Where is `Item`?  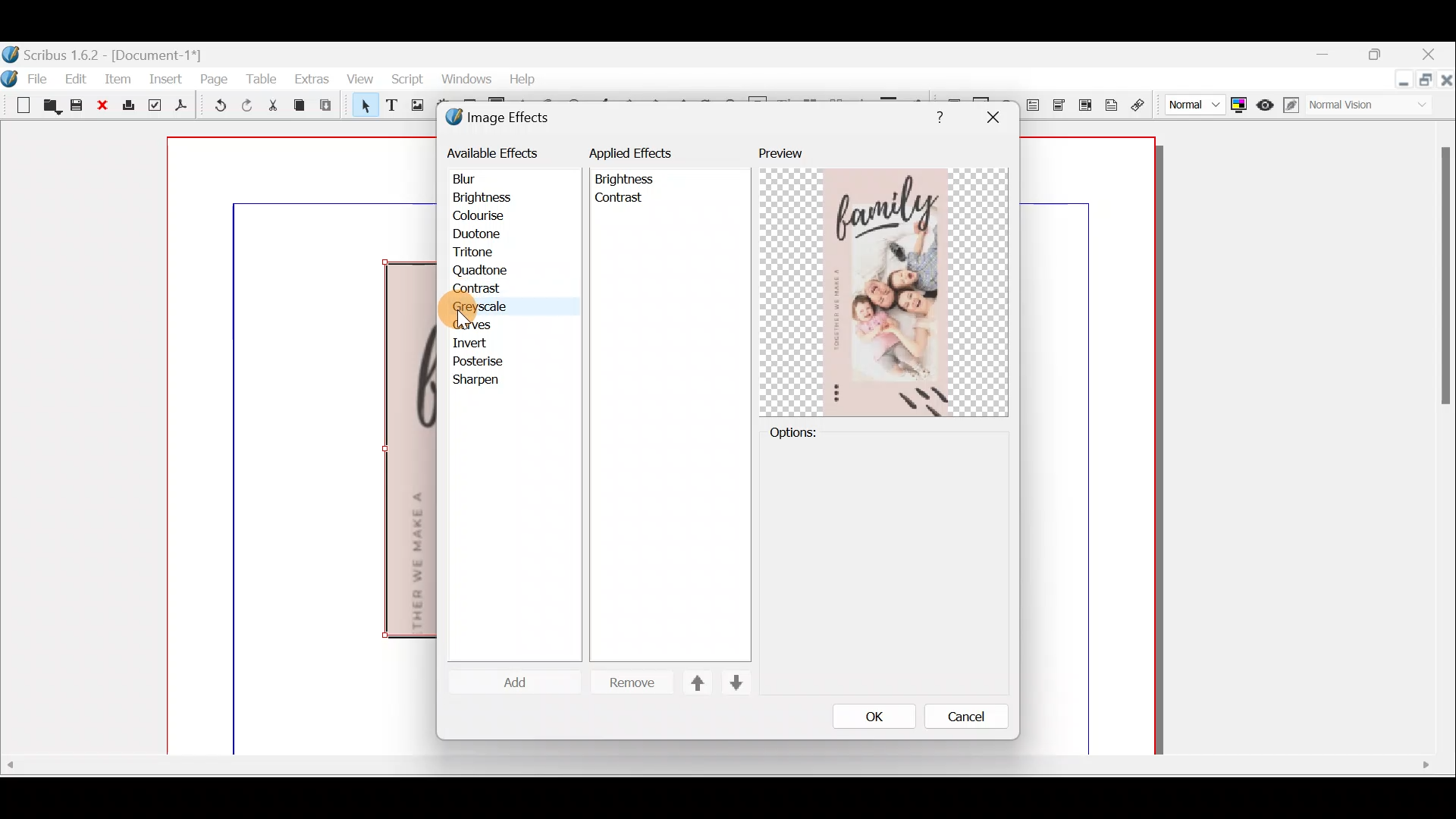 Item is located at coordinates (116, 78).